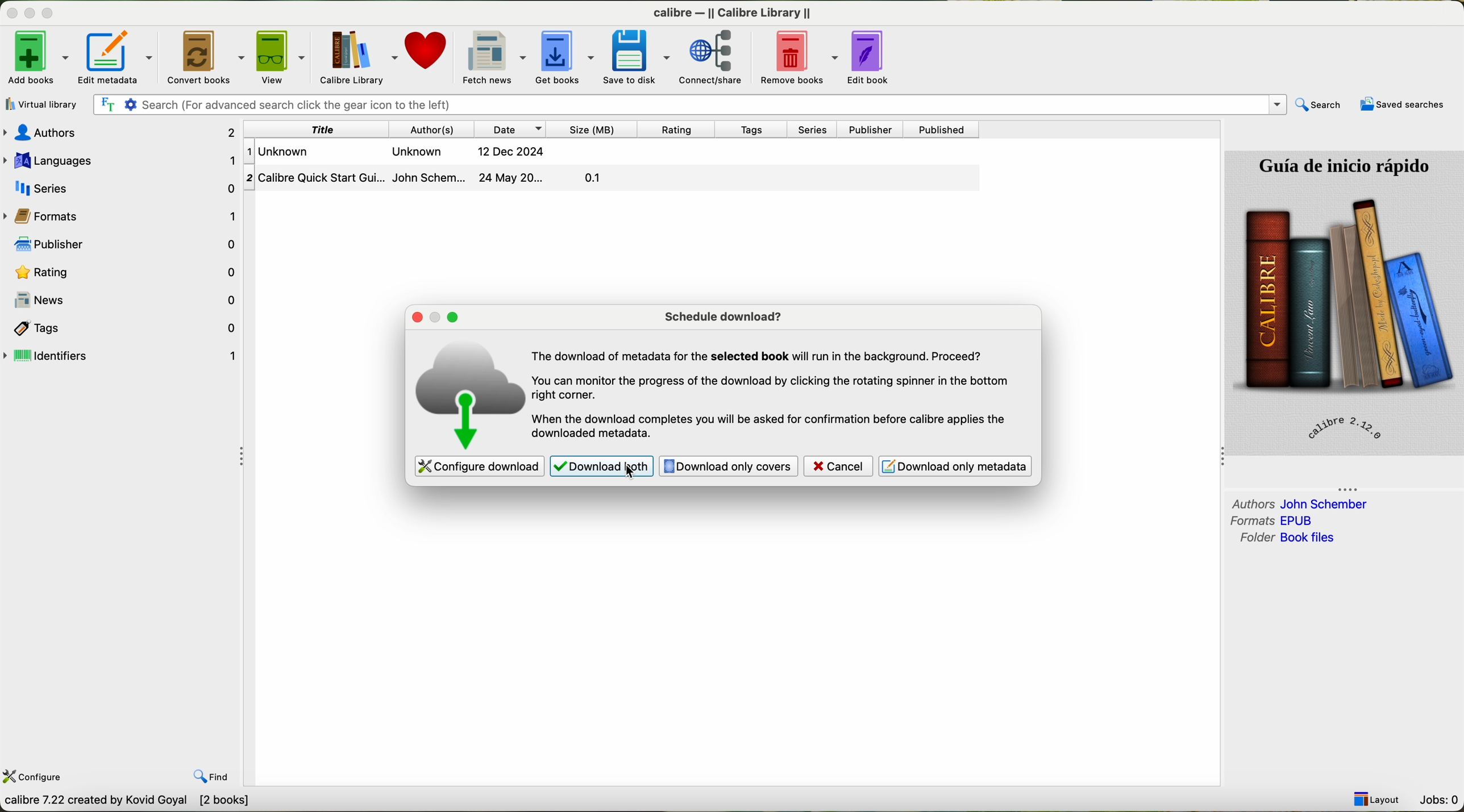  I want to click on search, so click(1319, 105).